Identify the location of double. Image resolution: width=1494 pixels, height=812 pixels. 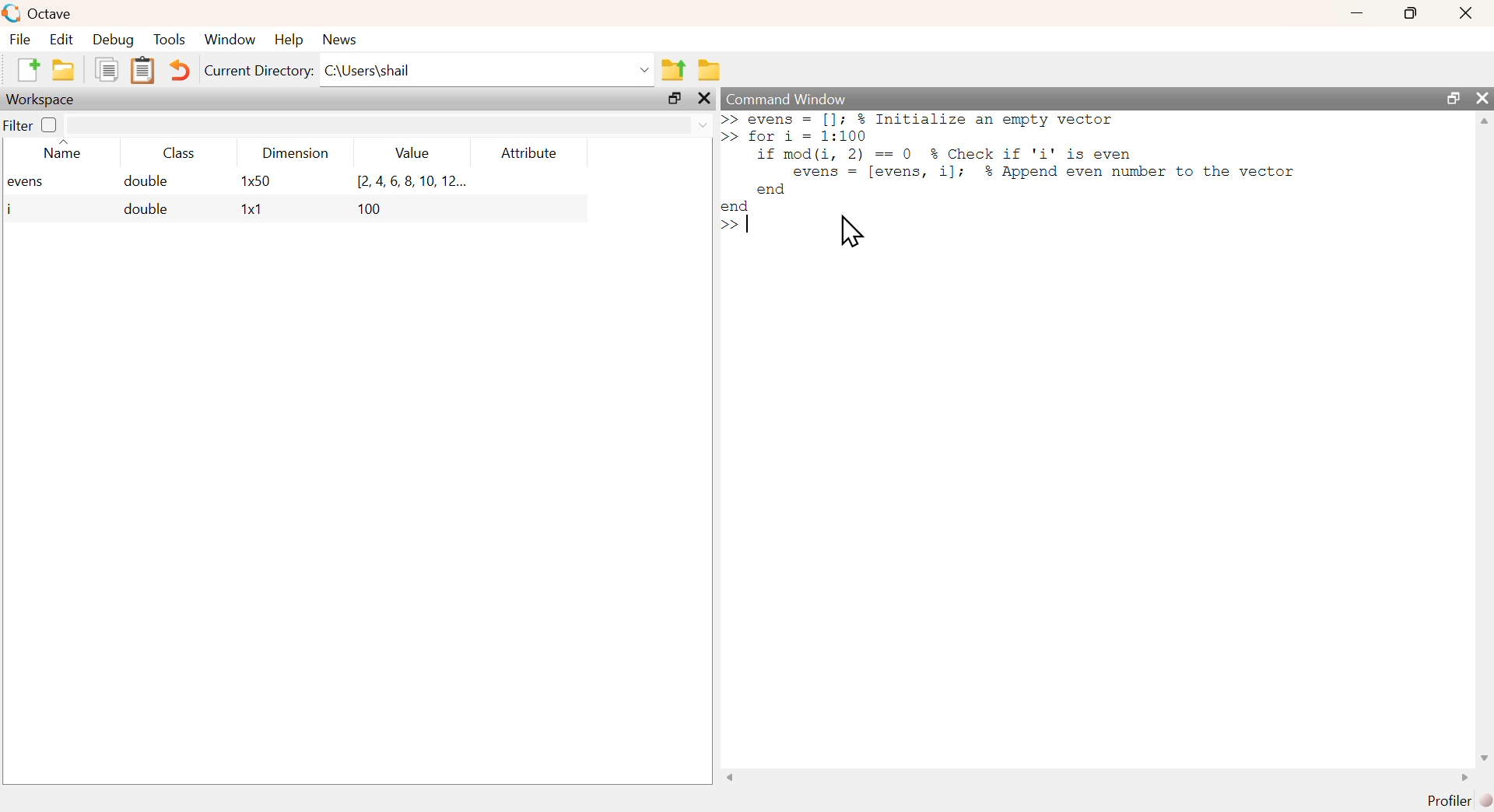
(150, 182).